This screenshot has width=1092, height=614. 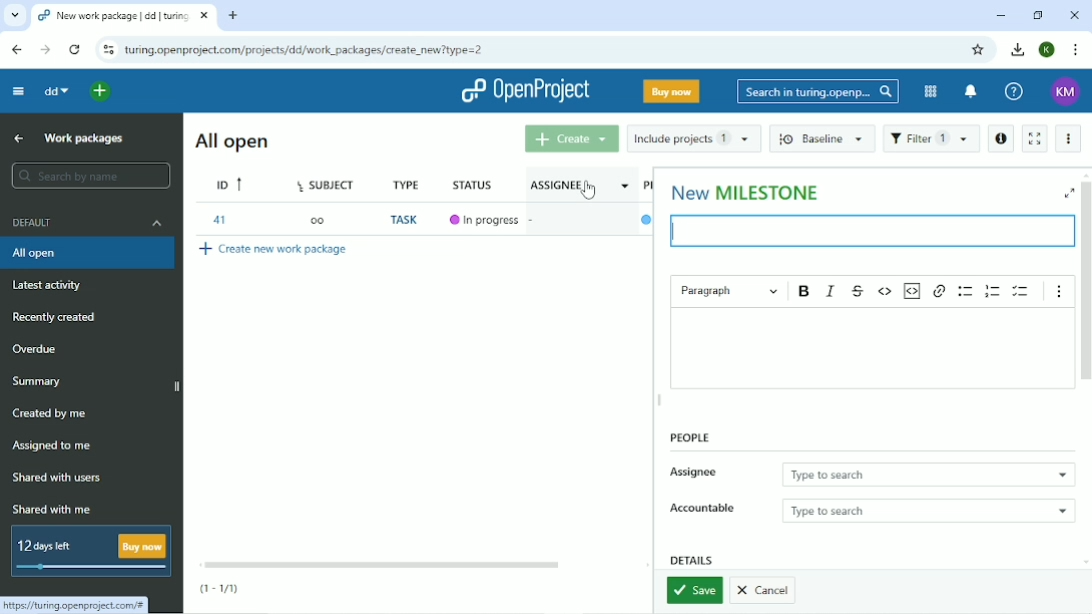 I want to click on type, so click(x=410, y=183).